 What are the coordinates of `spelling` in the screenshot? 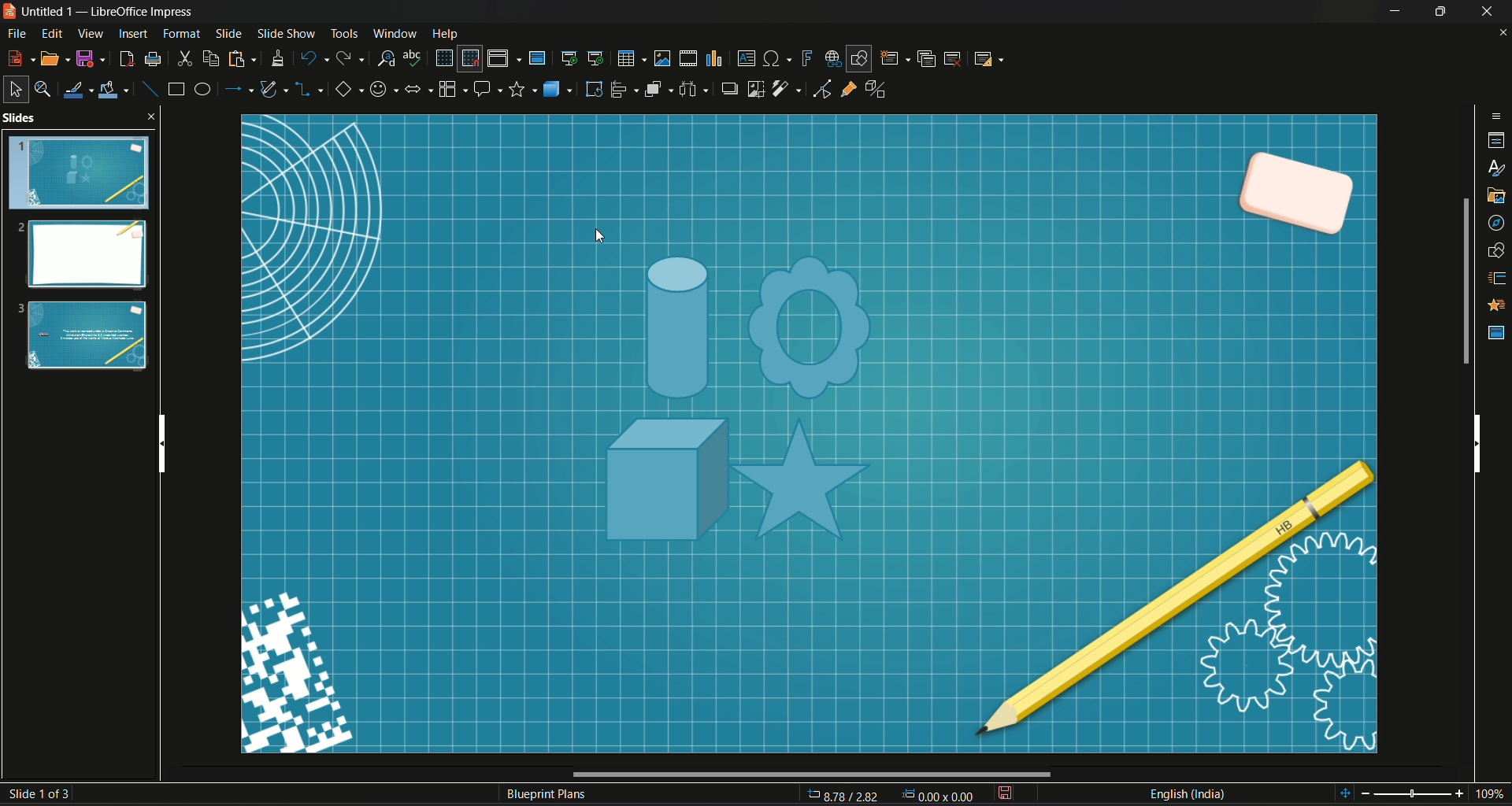 It's located at (413, 57).